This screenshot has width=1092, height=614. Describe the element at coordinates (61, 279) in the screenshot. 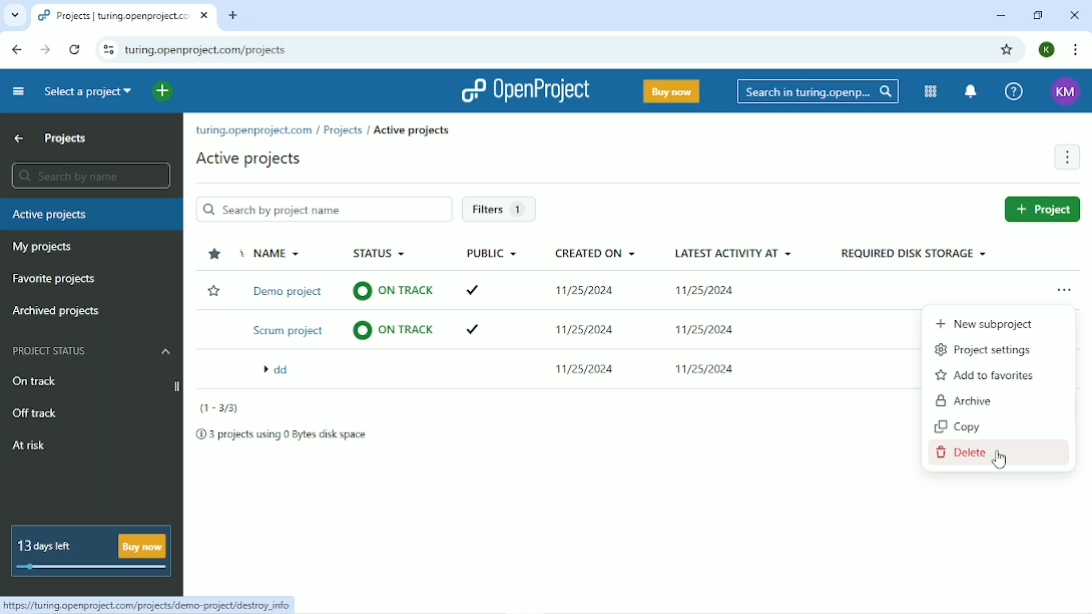

I see `Favorite projects` at that location.